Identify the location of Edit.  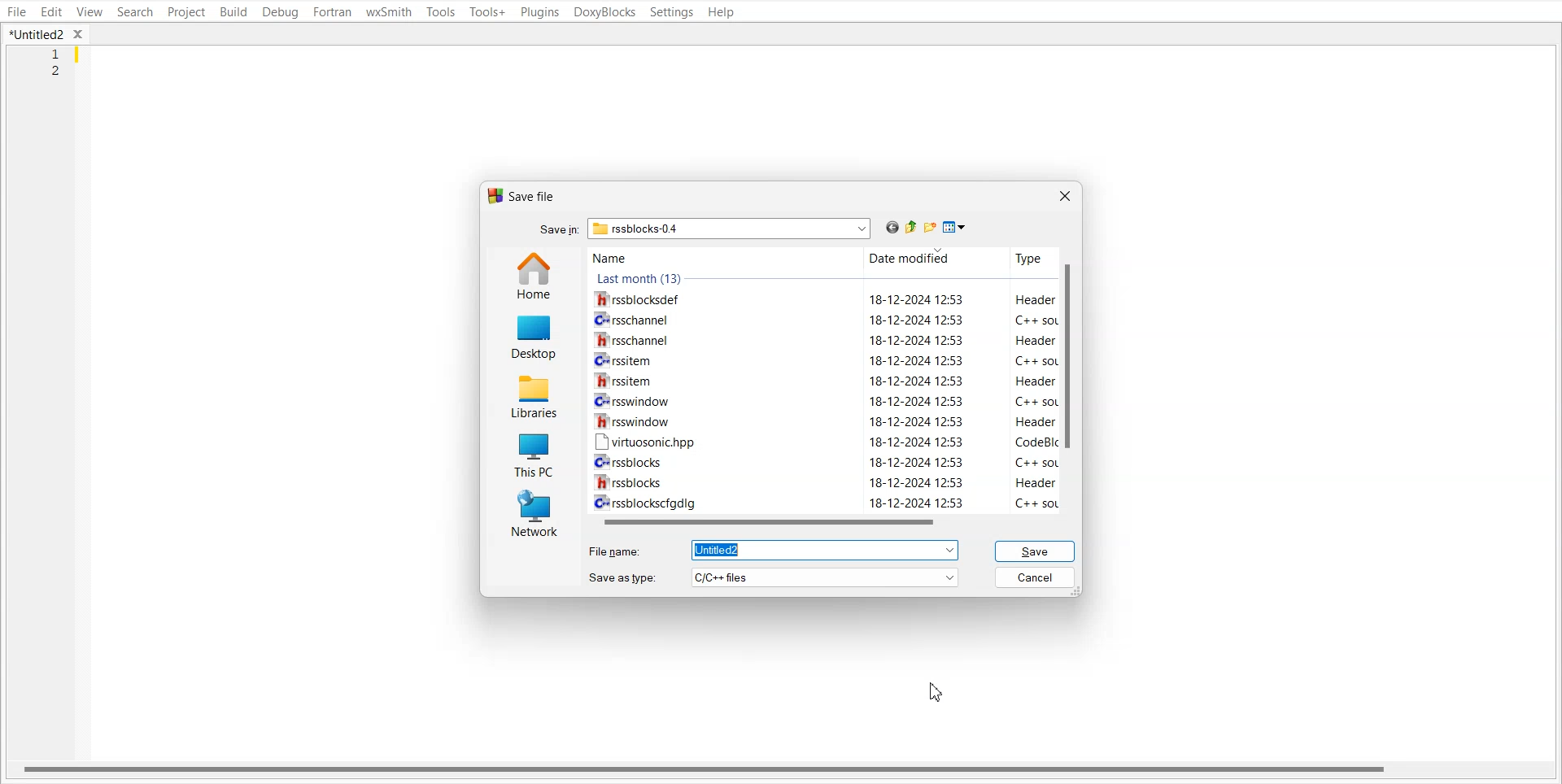
(52, 11).